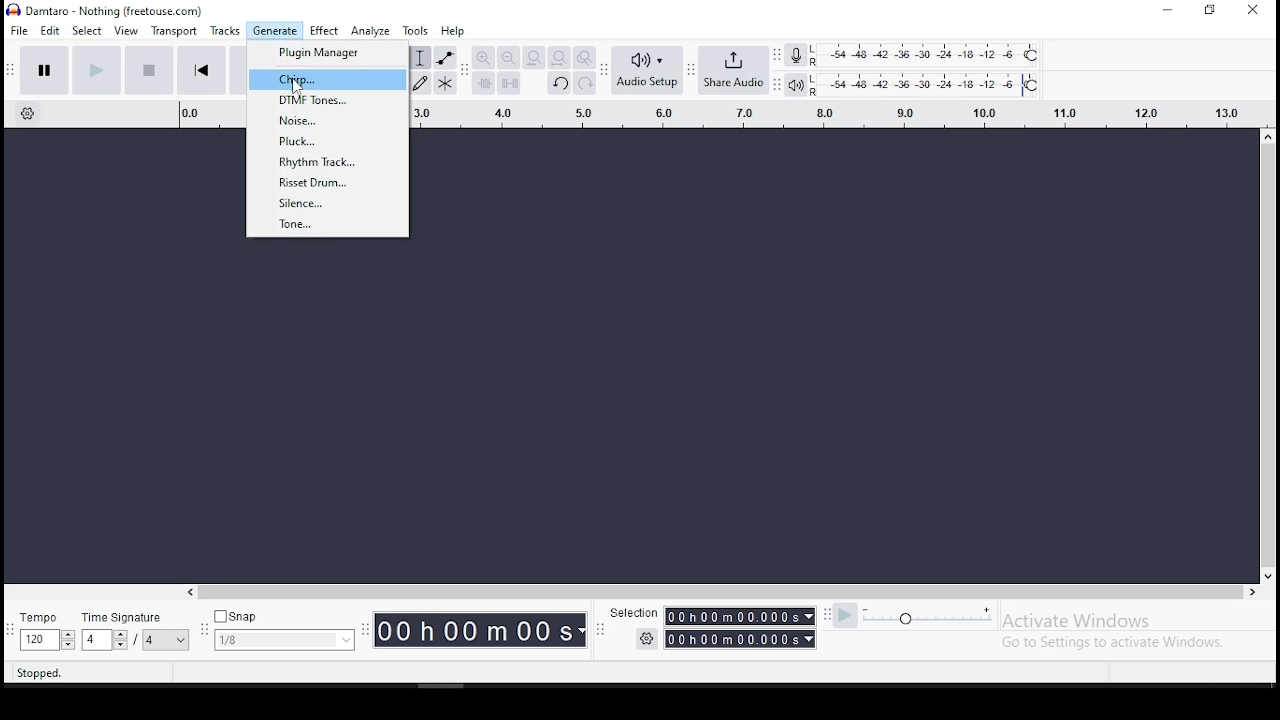  What do you see at coordinates (127, 31) in the screenshot?
I see `view` at bounding box center [127, 31].